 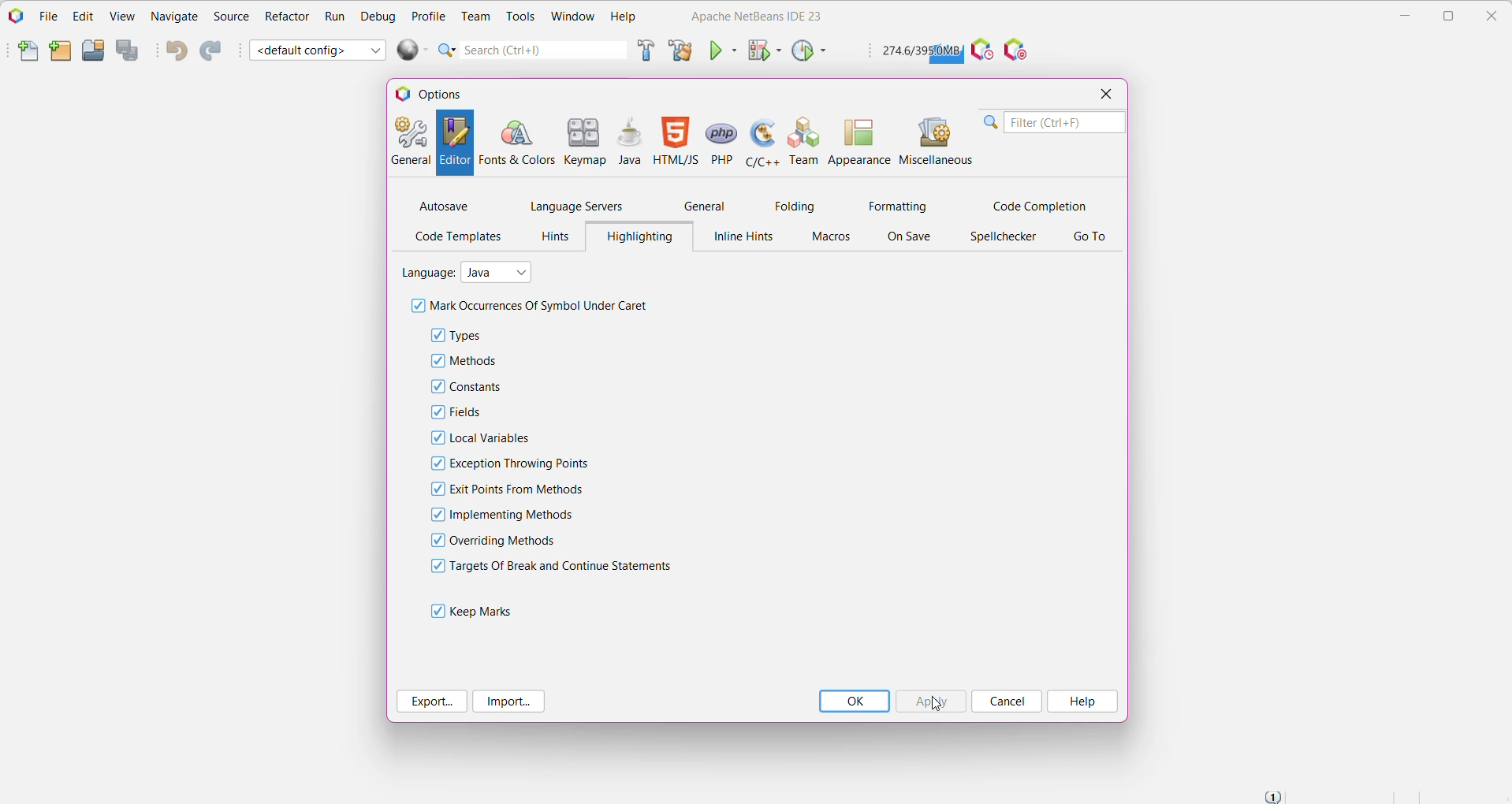 What do you see at coordinates (723, 50) in the screenshot?
I see `Run Project` at bounding box center [723, 50].